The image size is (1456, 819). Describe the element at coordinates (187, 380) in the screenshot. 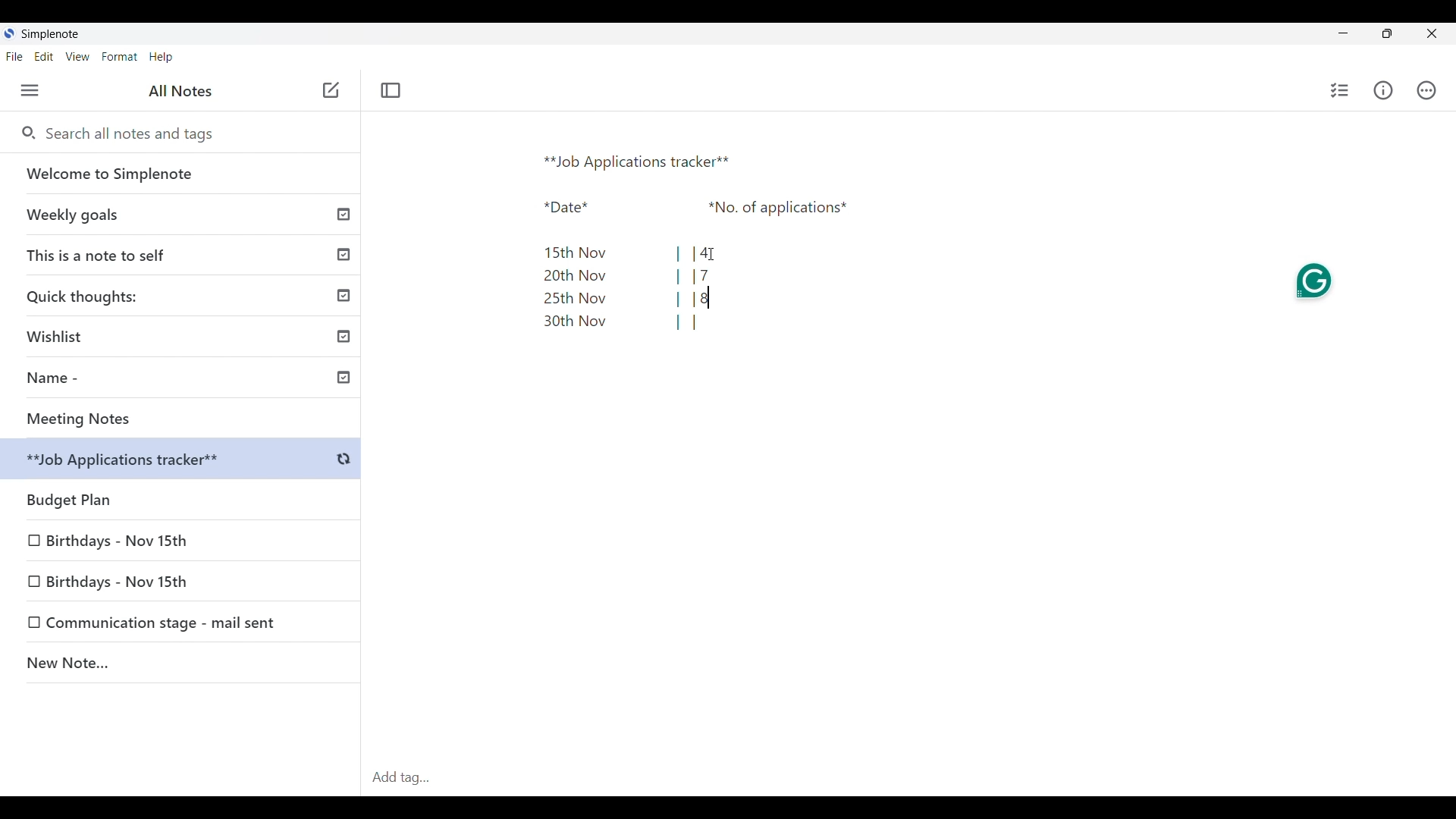

I see `Name ` at that location.